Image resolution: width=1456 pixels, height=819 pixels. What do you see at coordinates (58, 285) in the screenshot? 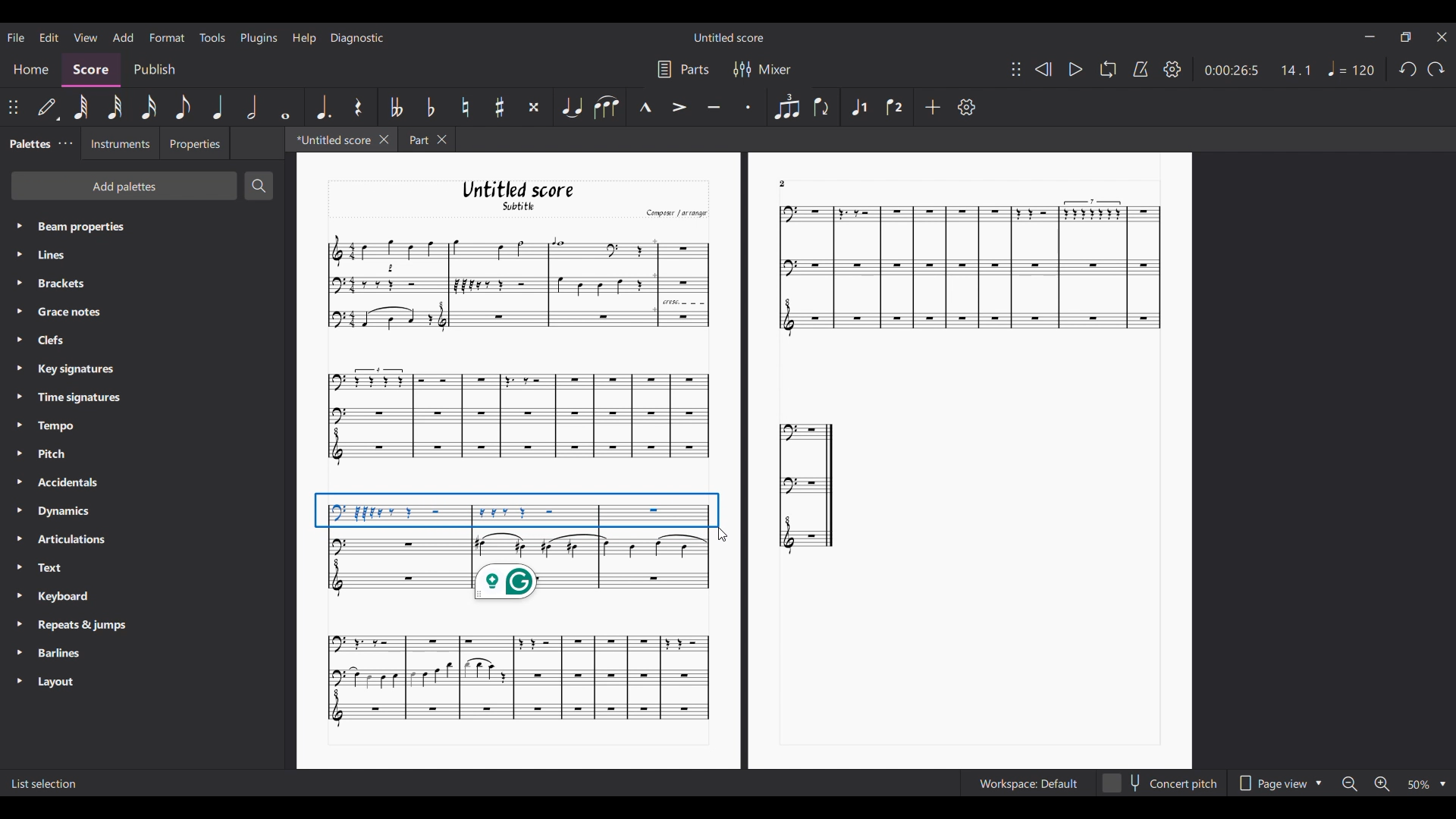
I see `» Brackets` at bounding box center [58, 285].